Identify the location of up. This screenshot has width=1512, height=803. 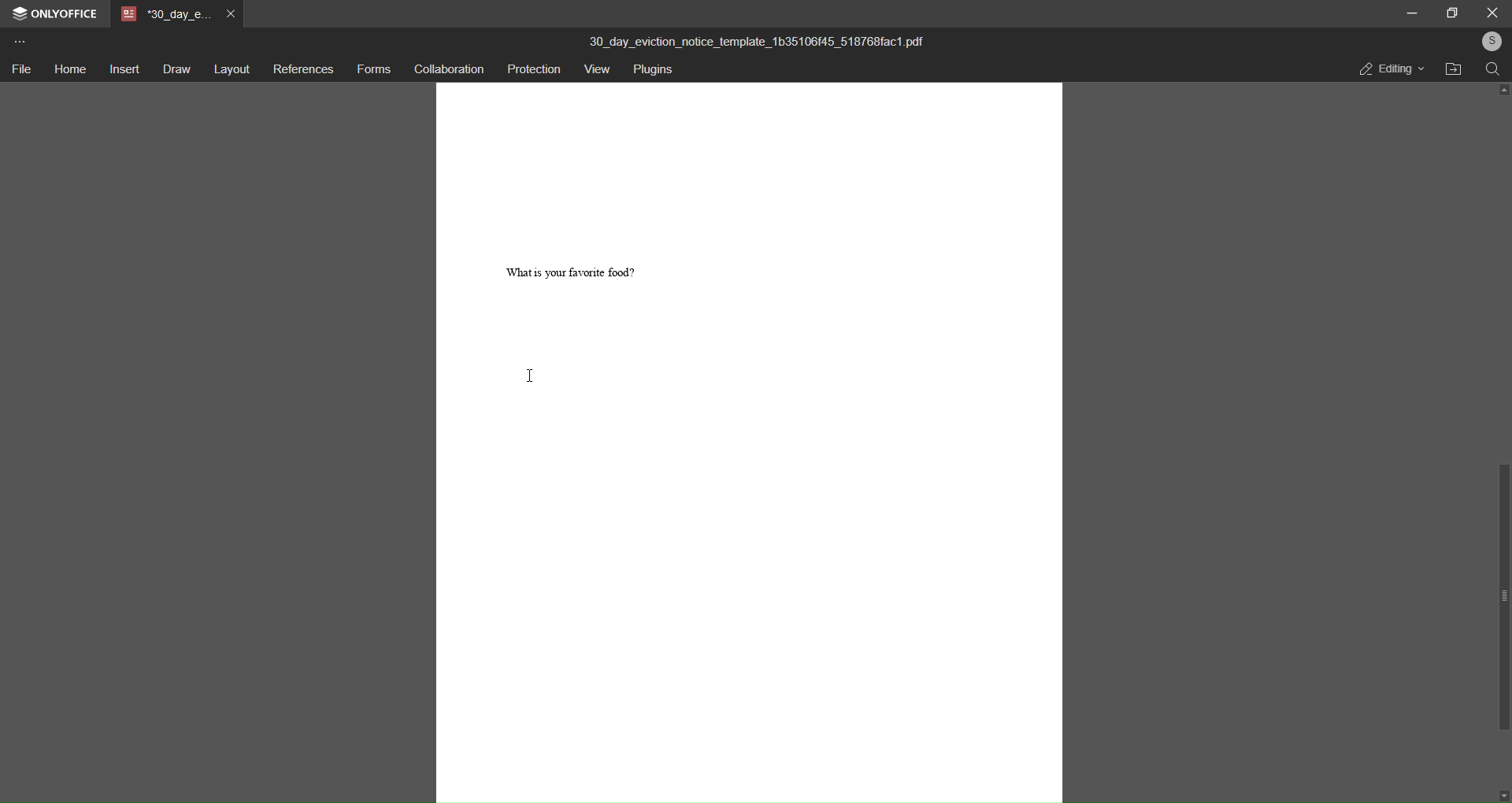
(1502, 91).